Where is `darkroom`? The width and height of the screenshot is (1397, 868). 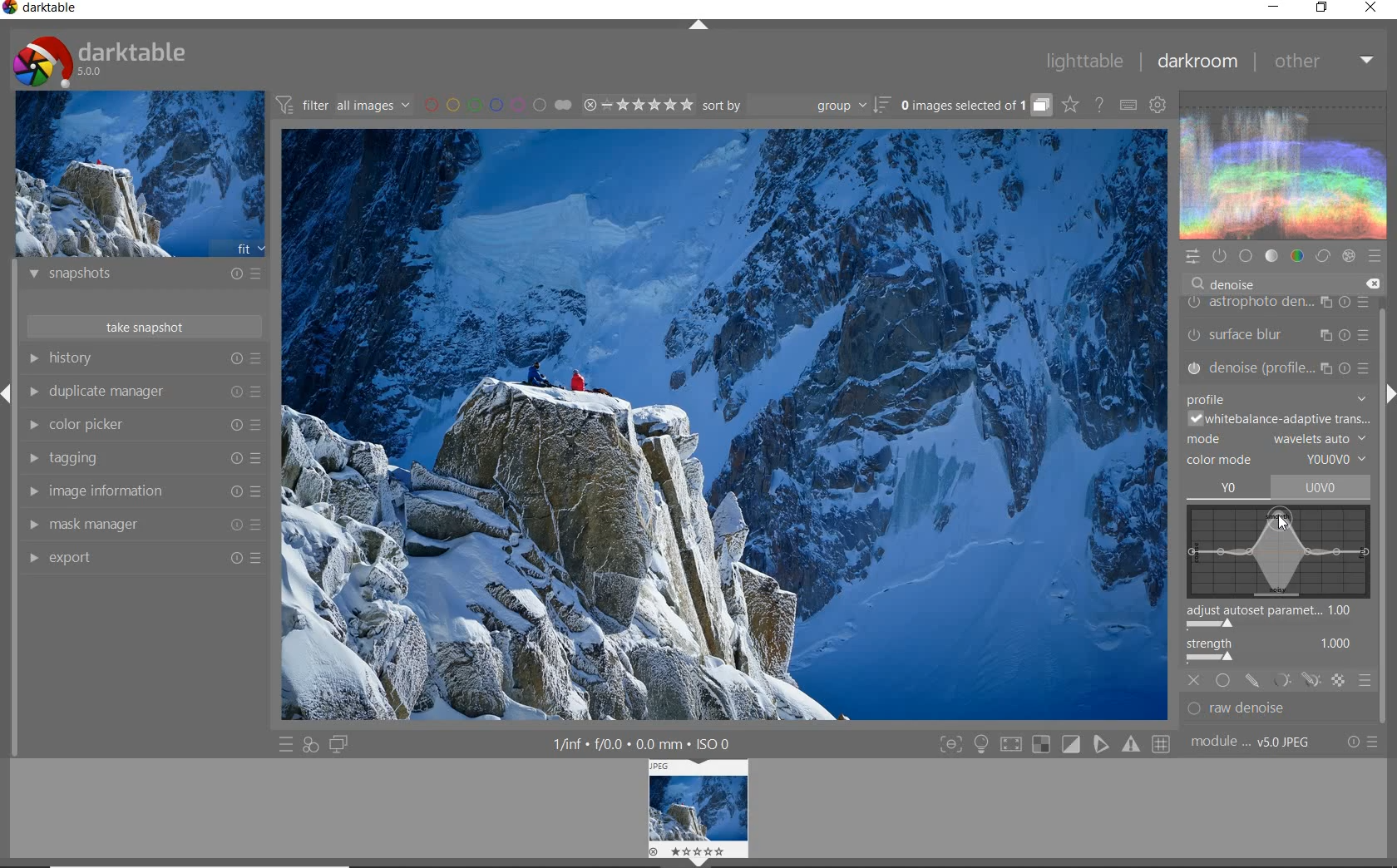 darkroom is located at coordinates (1197, 62).